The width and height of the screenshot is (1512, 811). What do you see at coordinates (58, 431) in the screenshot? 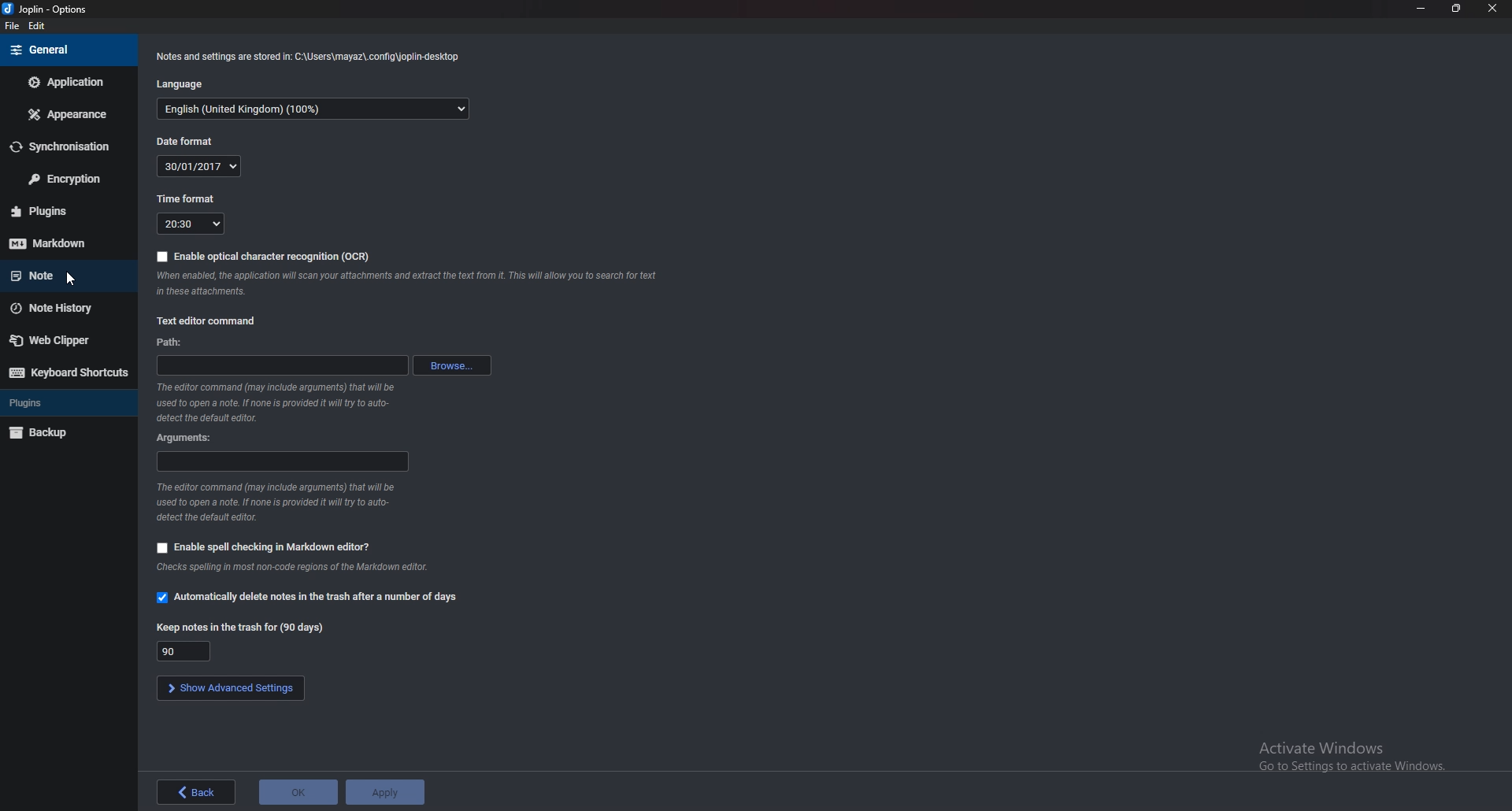
I see `Back up` at bounding box center [58, 431].